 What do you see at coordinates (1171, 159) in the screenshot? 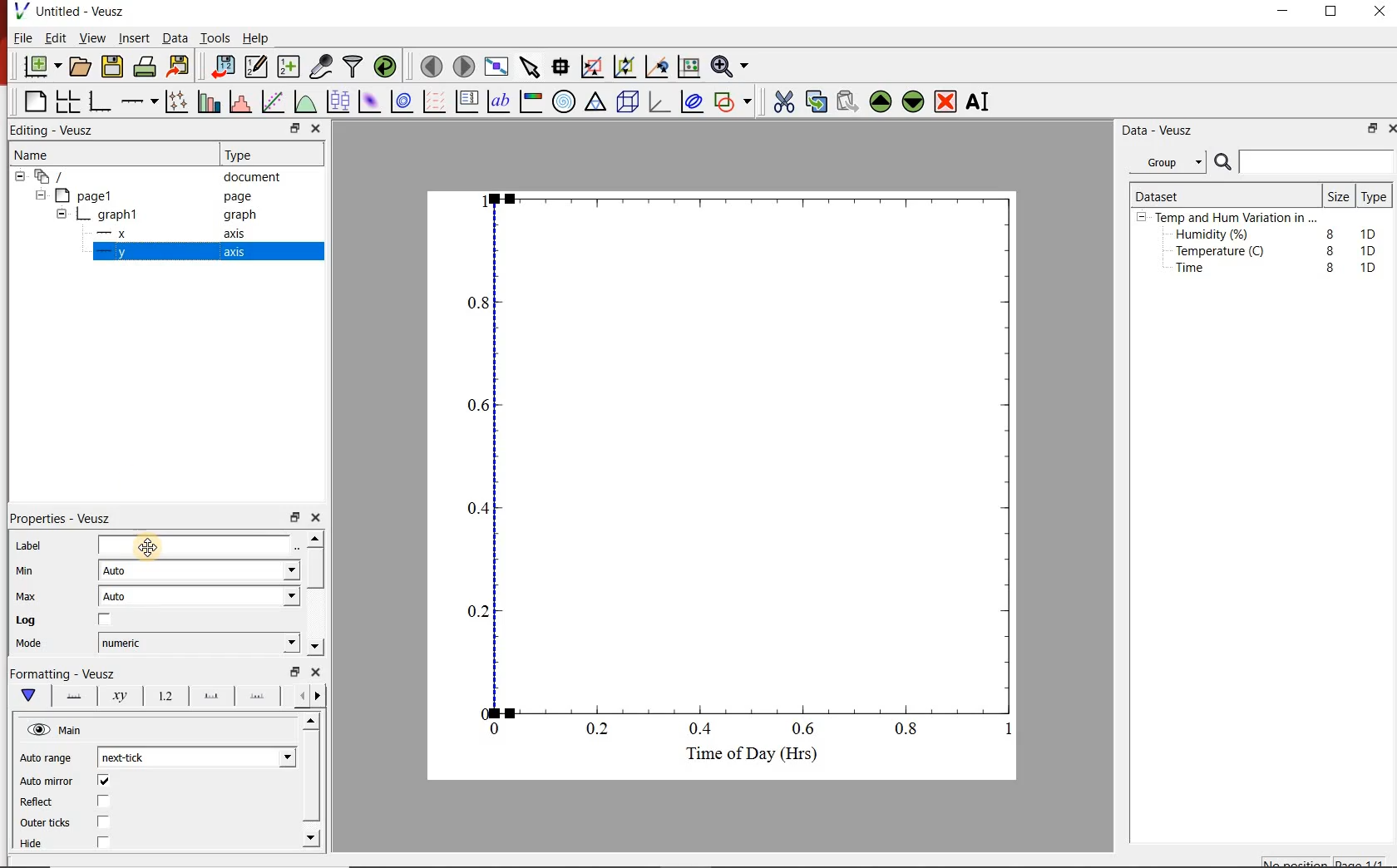
I see `Group.` at bounding box center [1171, 159].